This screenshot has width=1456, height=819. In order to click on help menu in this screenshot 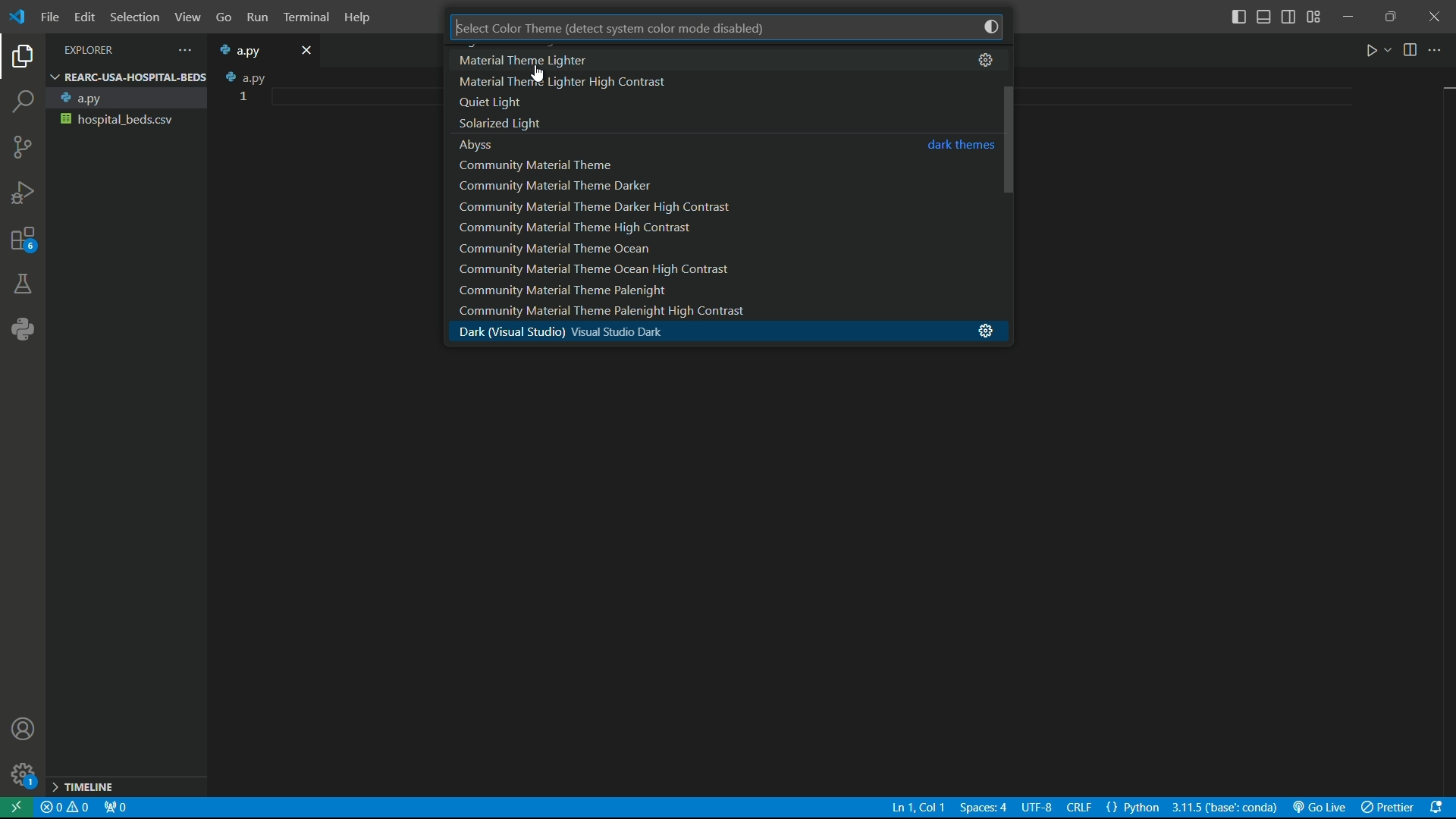, I will do `click(359, 17)`.